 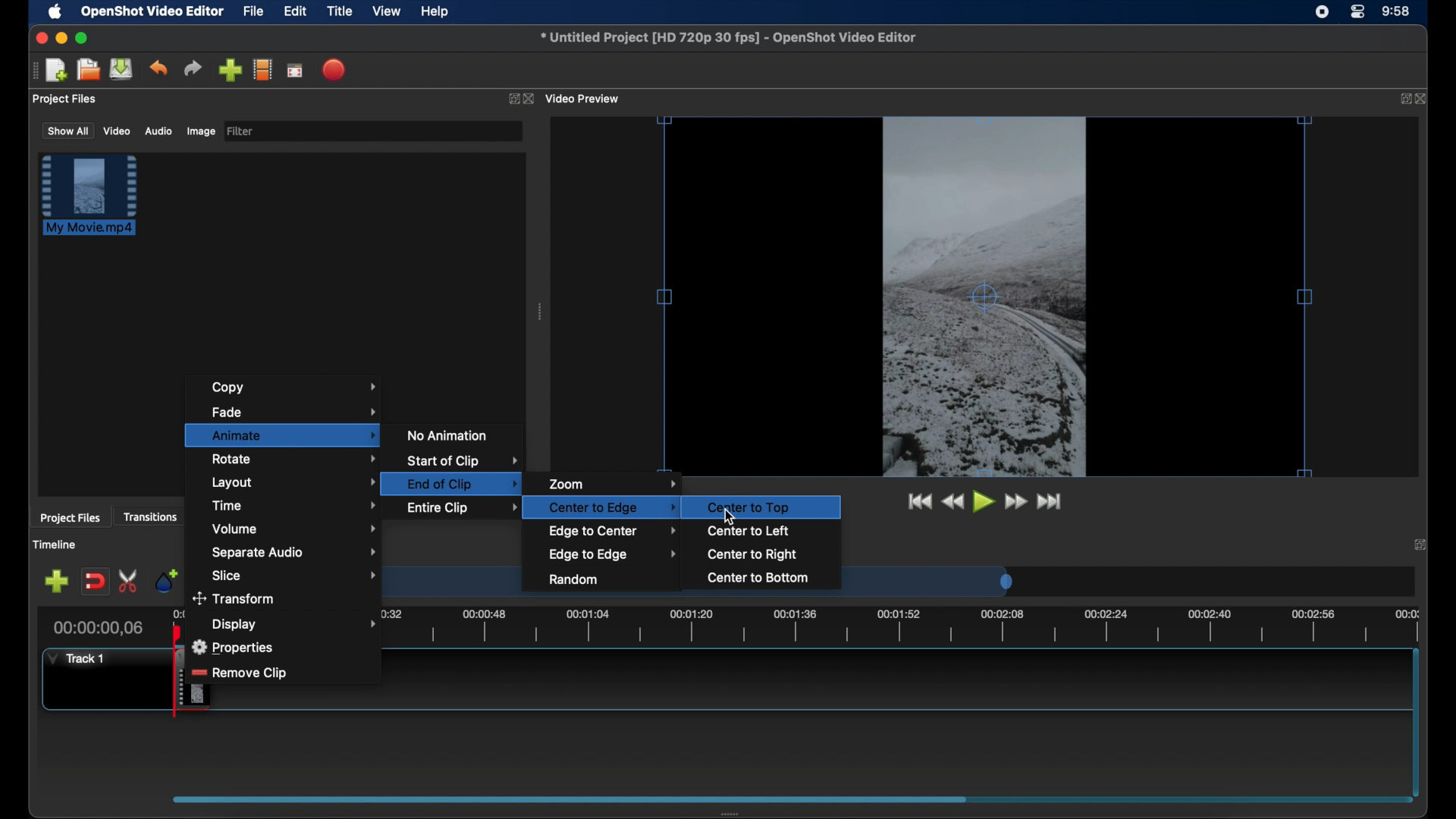 What do you see at coordinates (200, 133) in the screenshot?
I see `image` at bounding box center [200, 133].